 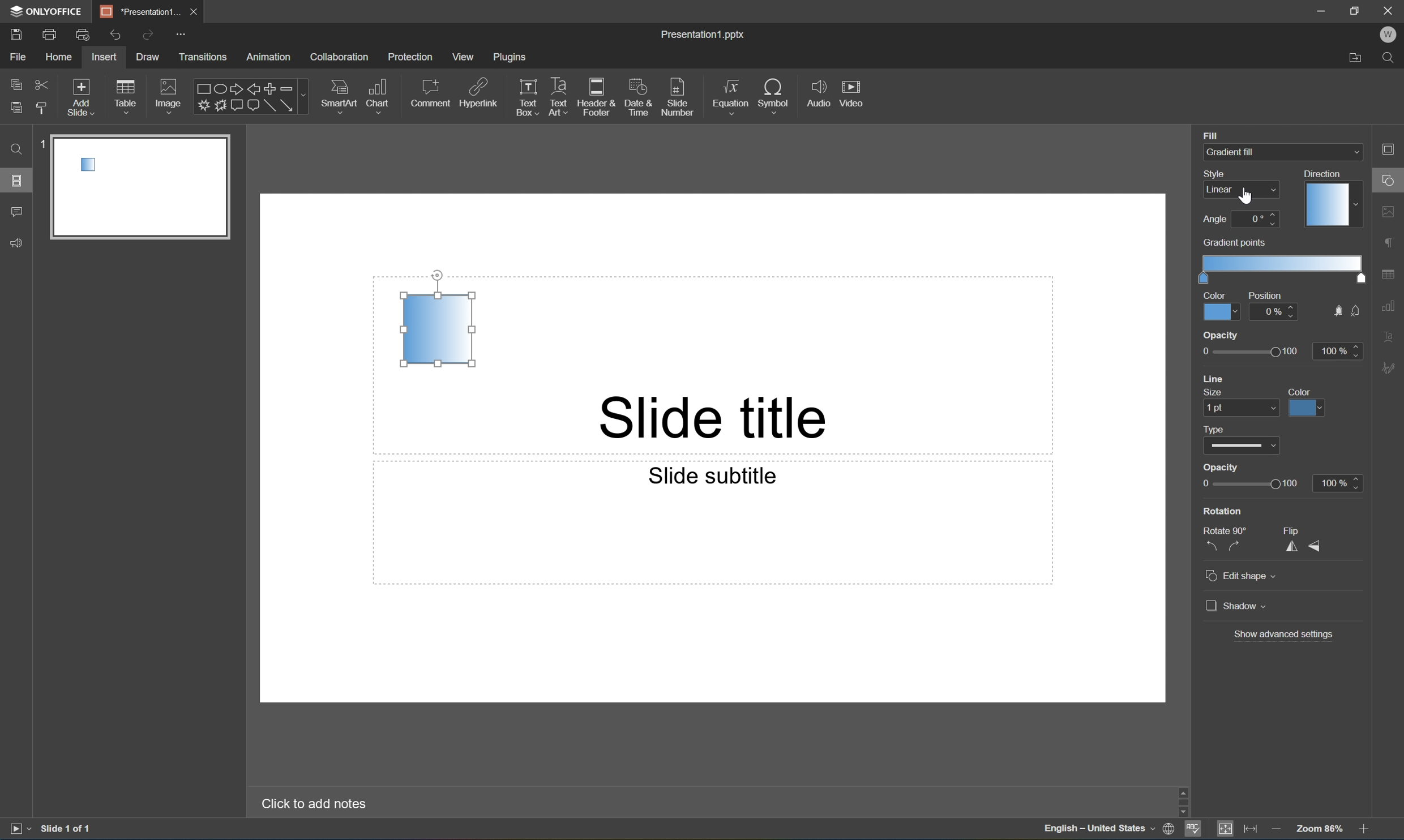 I want to click on Close, so click(x=192, y=12).